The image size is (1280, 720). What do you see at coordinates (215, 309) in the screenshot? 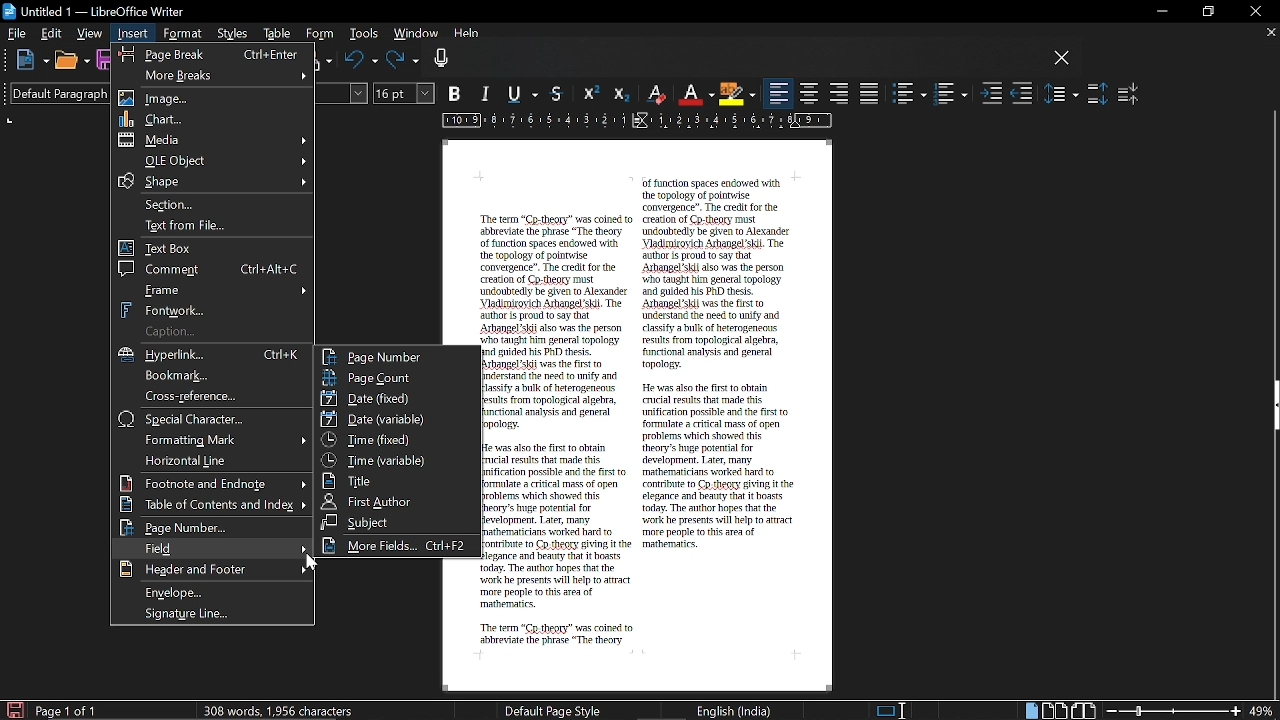
I see `Fontwork` at bounding box center [215, 309].